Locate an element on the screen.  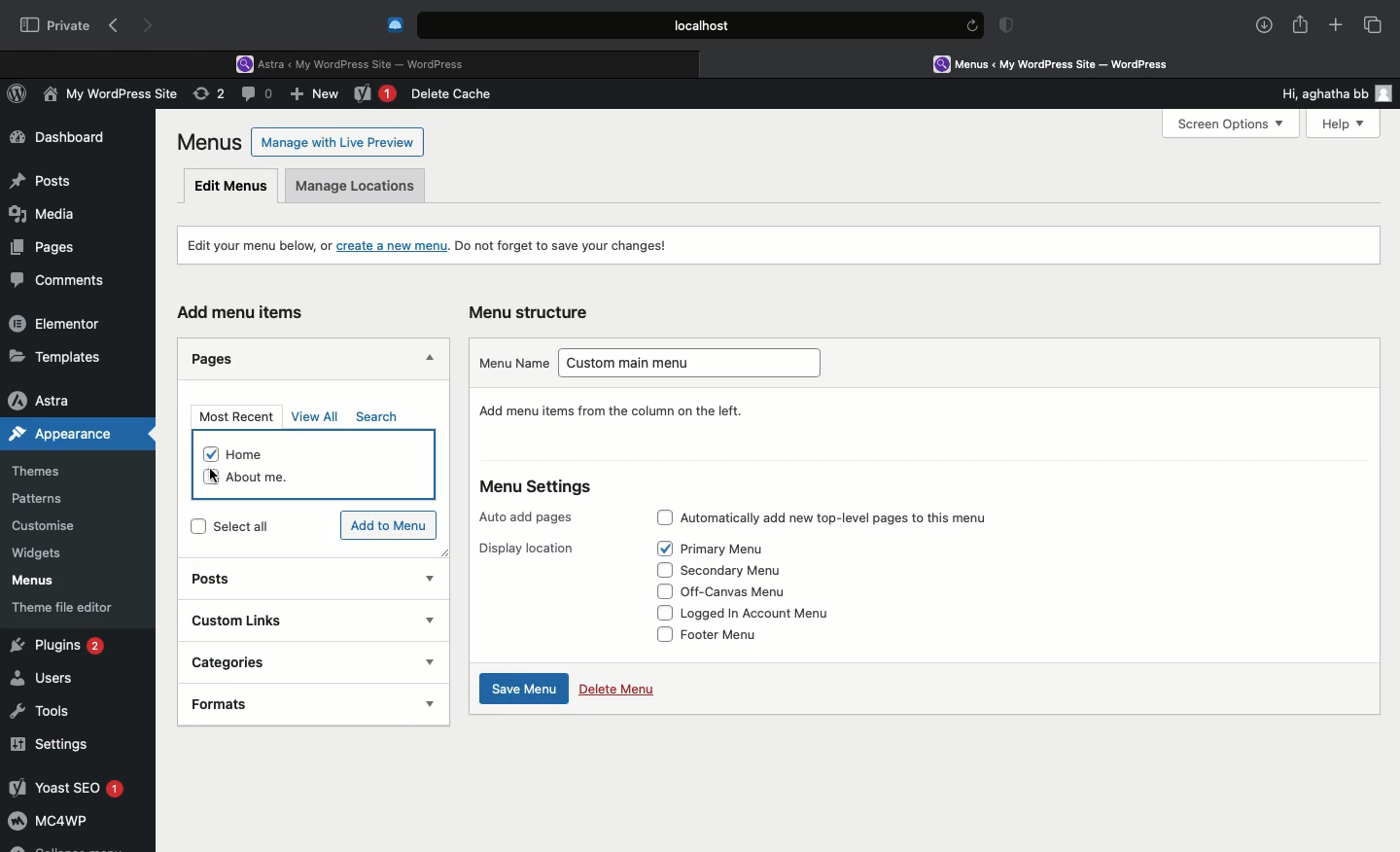
Hi, aghatha bb is located at coordinates (1314, 90).